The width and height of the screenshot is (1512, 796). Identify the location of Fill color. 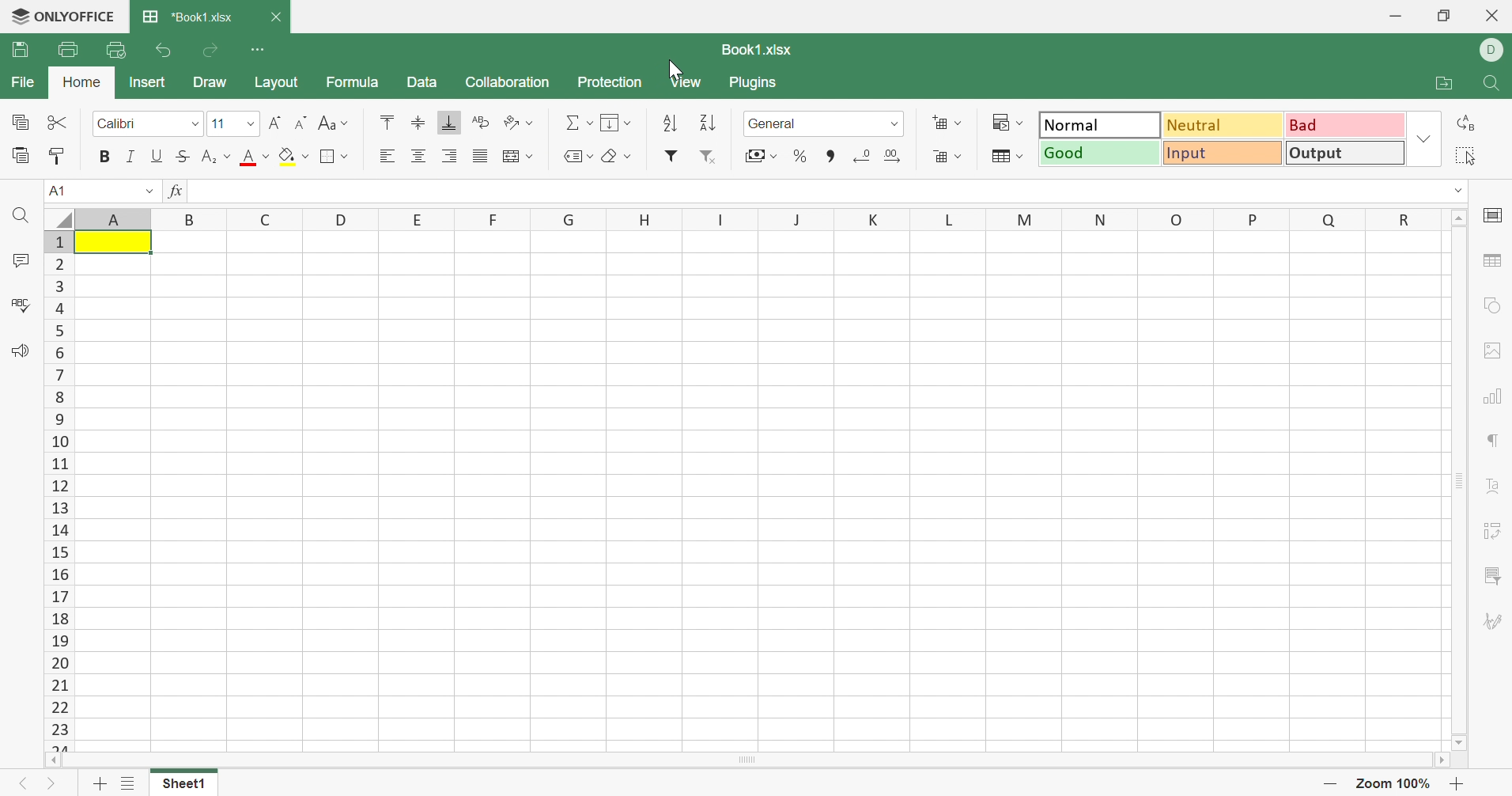
(294, 157).